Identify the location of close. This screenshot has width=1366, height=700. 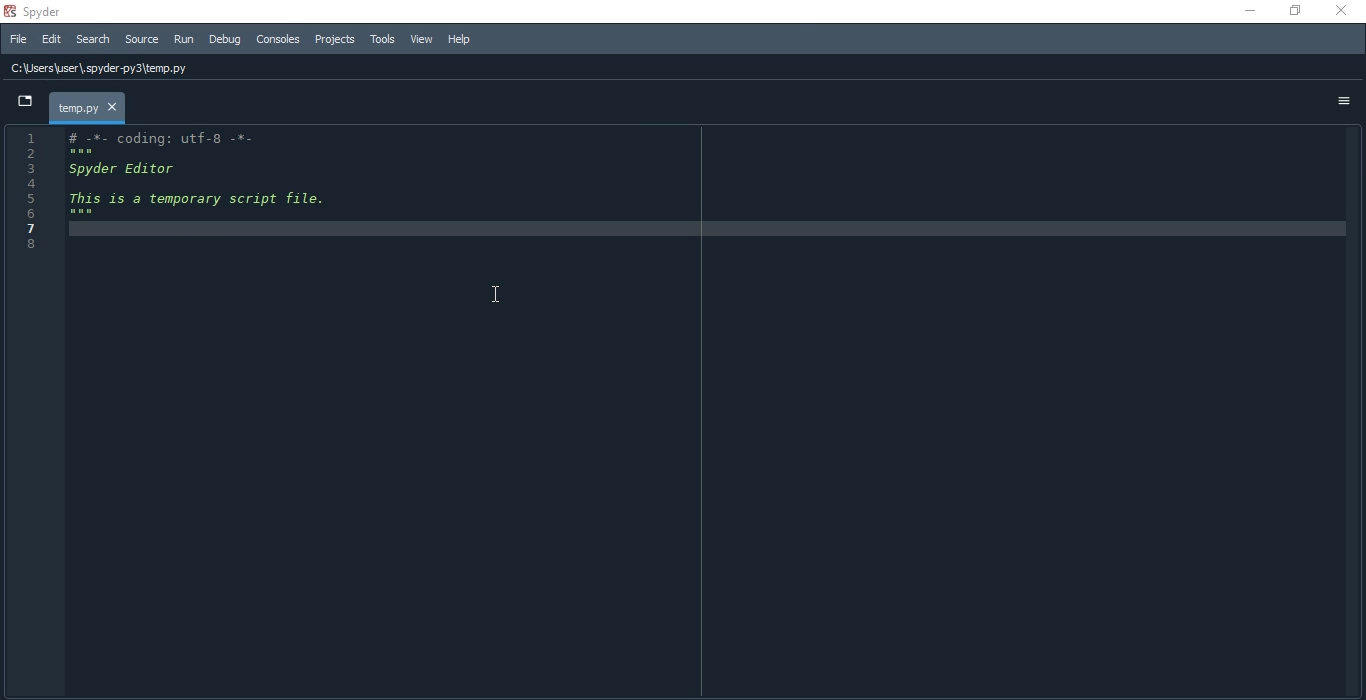
(1346, 12).